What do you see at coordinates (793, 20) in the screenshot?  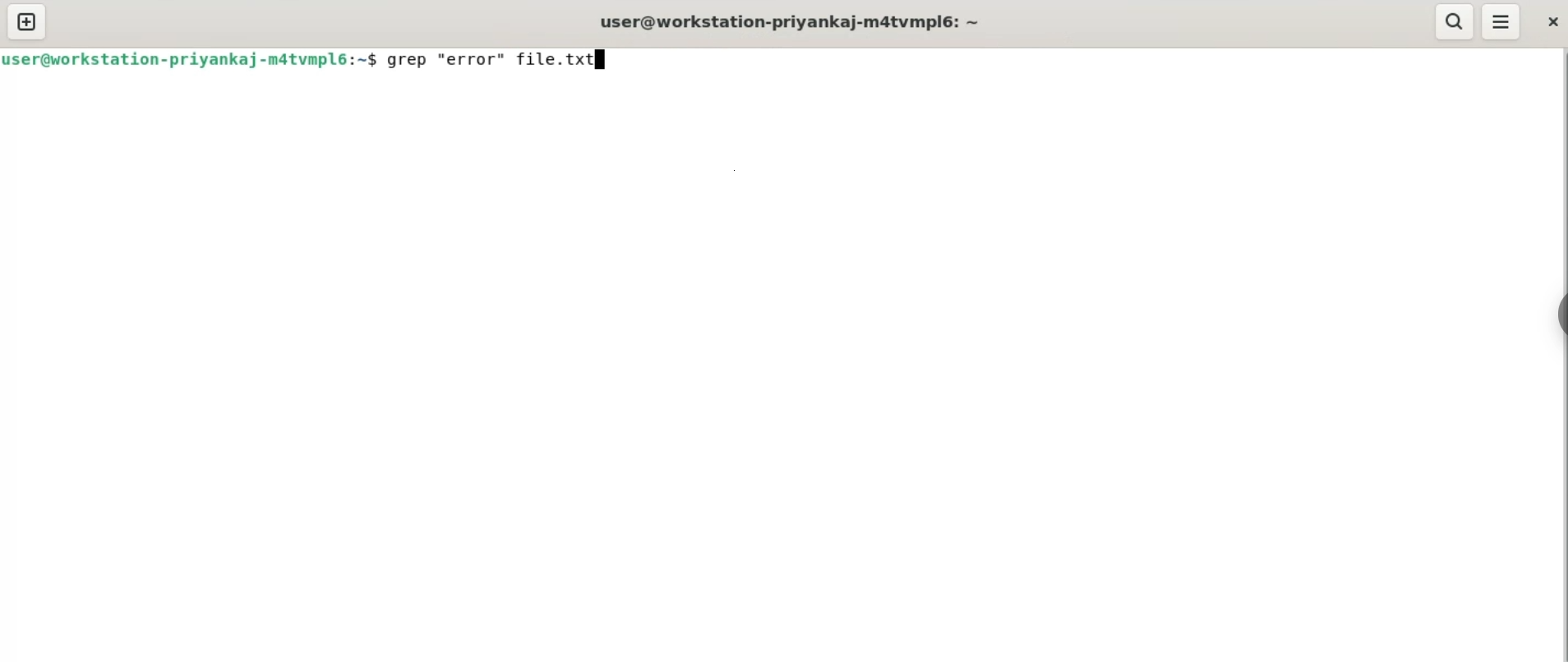 I see `user@workstation-priyankaj-m4tvmpl6: ~` at bounding box center [793, 20].